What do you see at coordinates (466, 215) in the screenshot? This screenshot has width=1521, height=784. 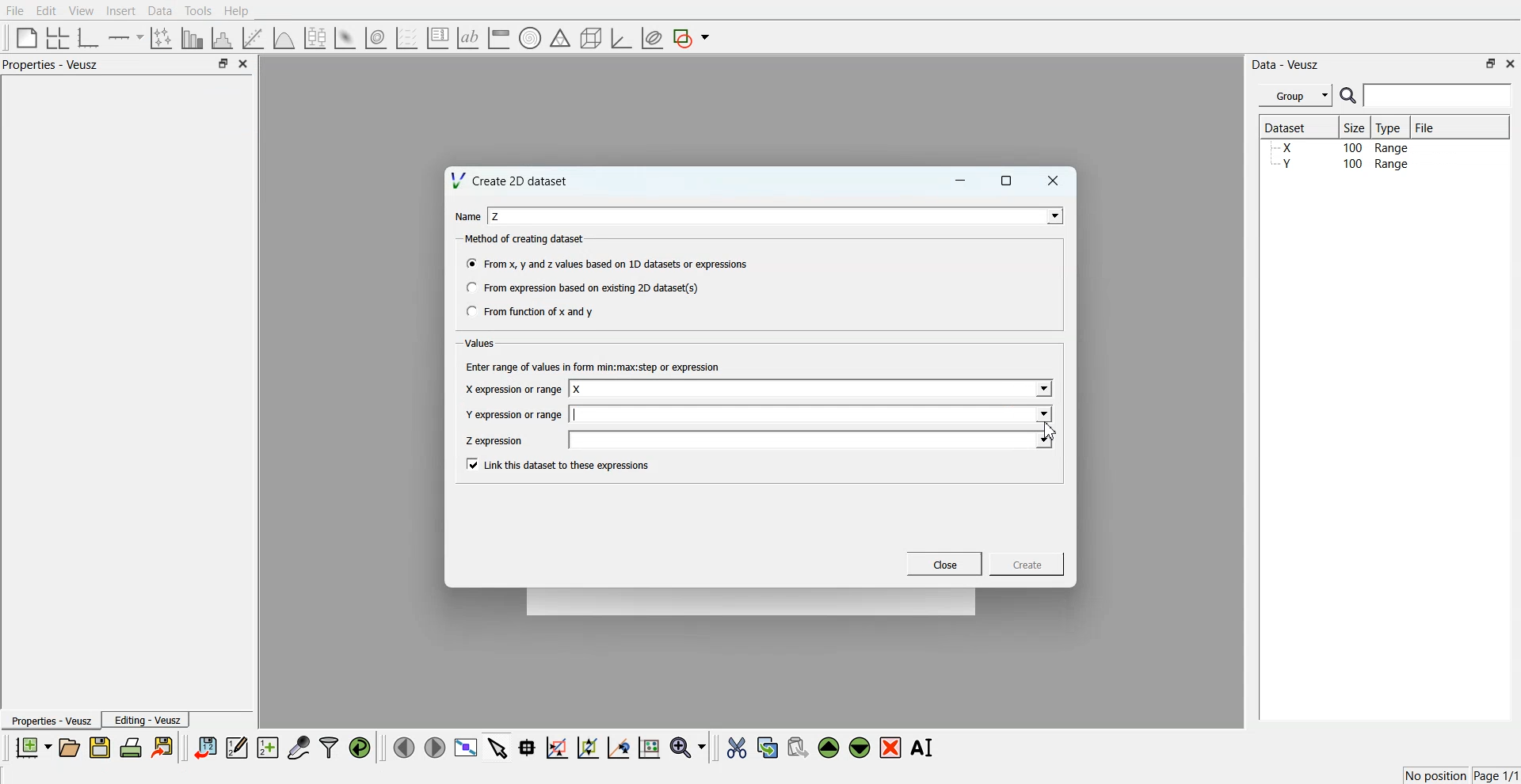 I see `‘Name` at bounding box center [466, 215].